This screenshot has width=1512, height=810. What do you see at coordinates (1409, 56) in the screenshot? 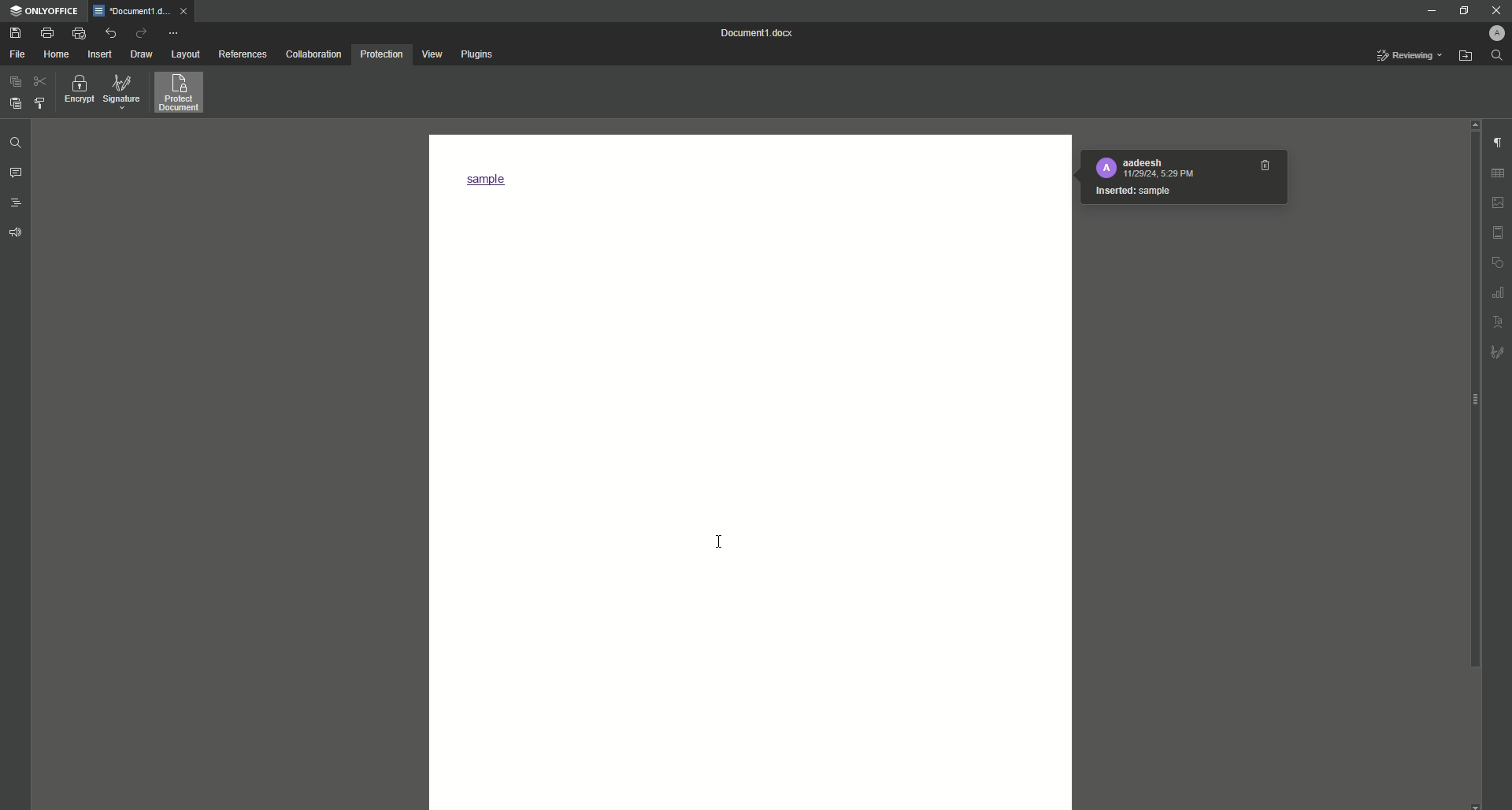
I see `Reviewing` at bounding box center [1409, 56].